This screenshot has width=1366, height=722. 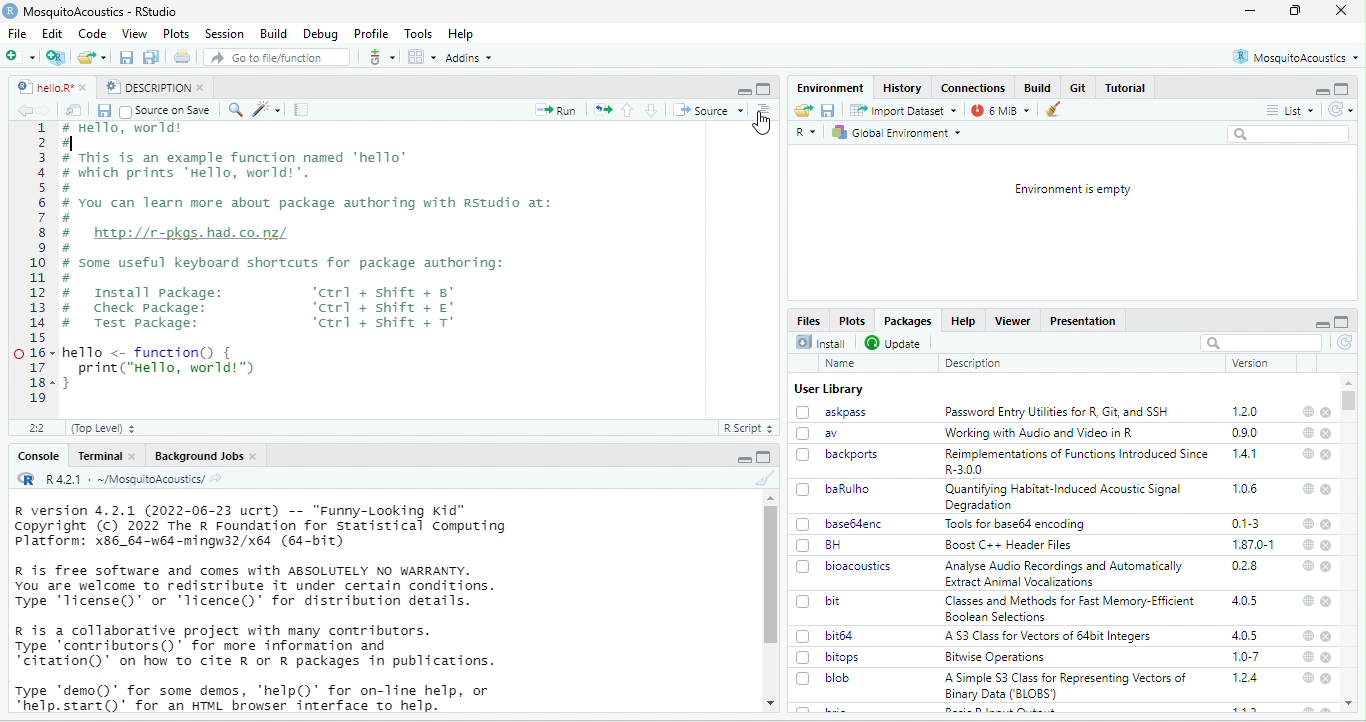 I want to click on User Library, so click(x=828, y=389).